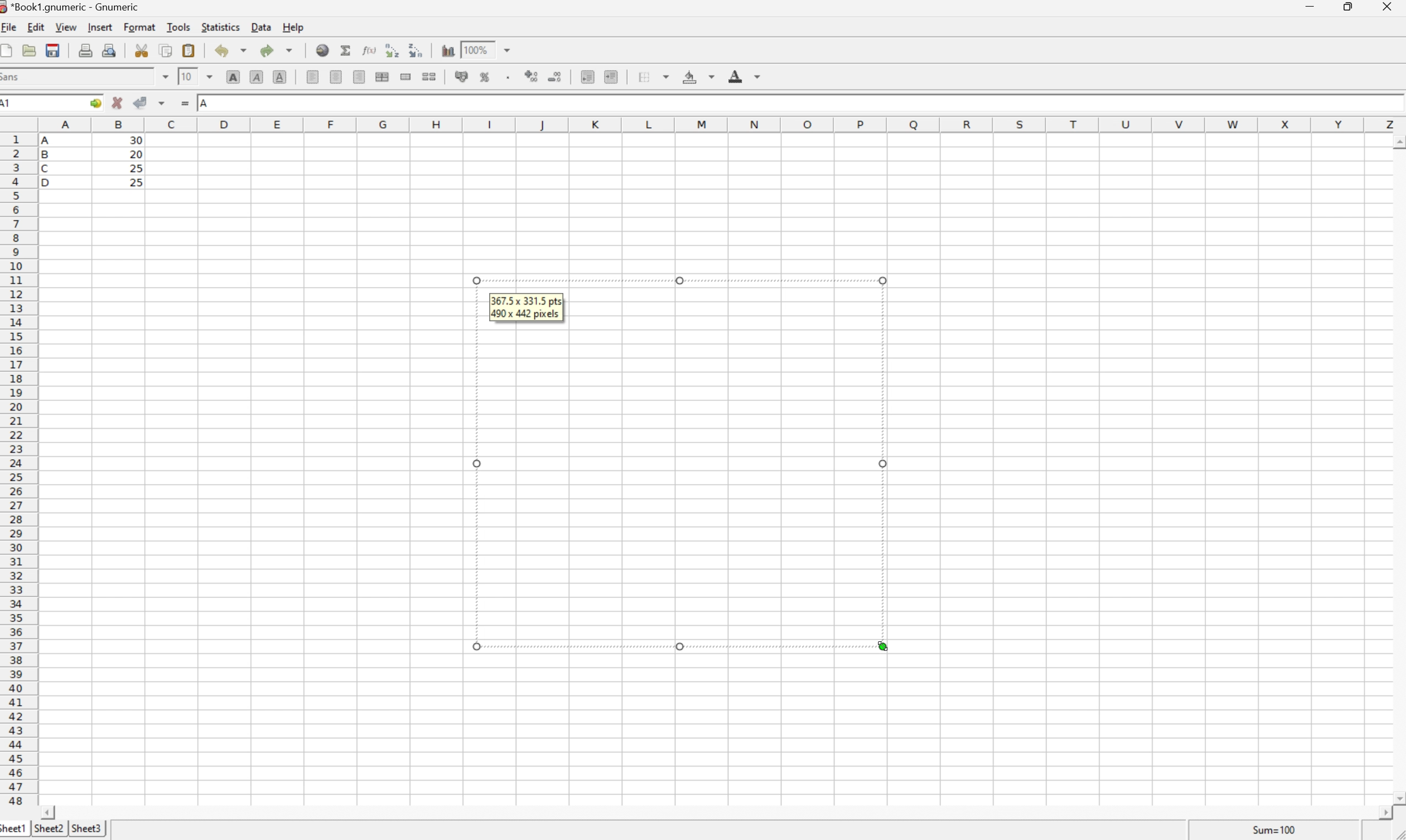  Describe the element at coordinates (88, 827) in the screenshot. I see `Sheet3` at that location.